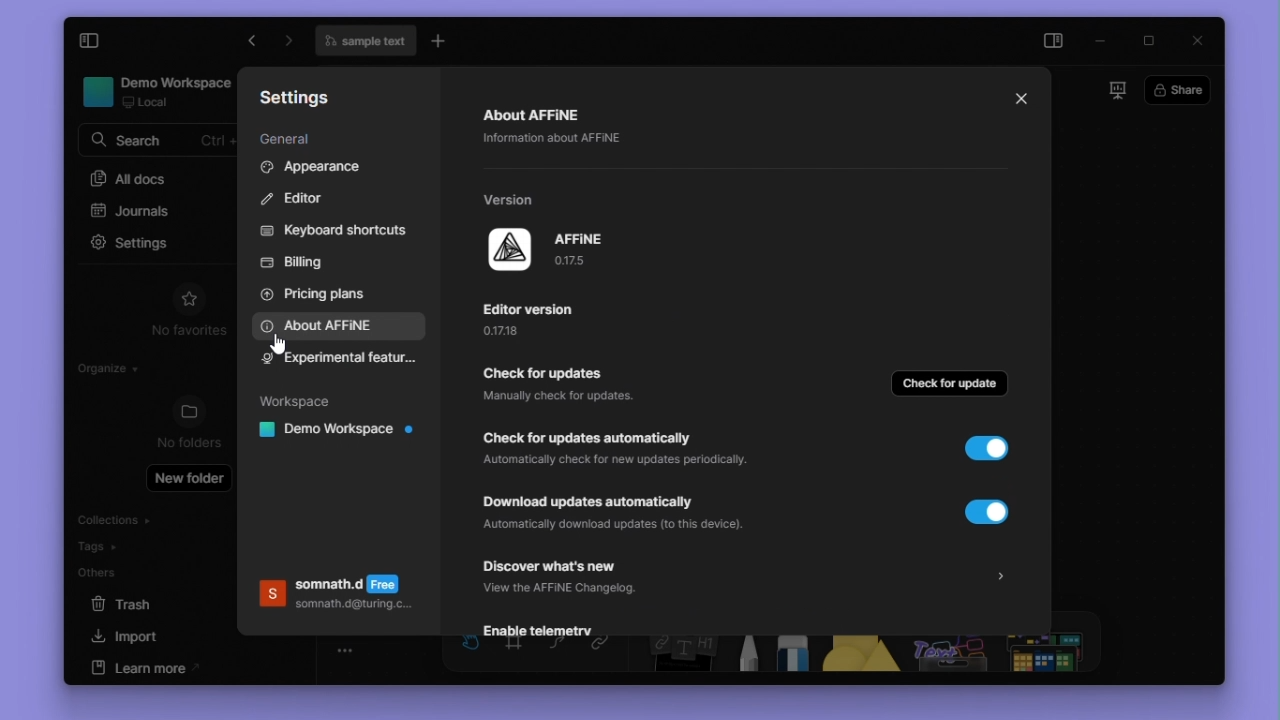 This screenshot has width=1280, height=720. Describe the element at coordinates (1150, 40) in the screenshot. I see `Maximize` at that location.